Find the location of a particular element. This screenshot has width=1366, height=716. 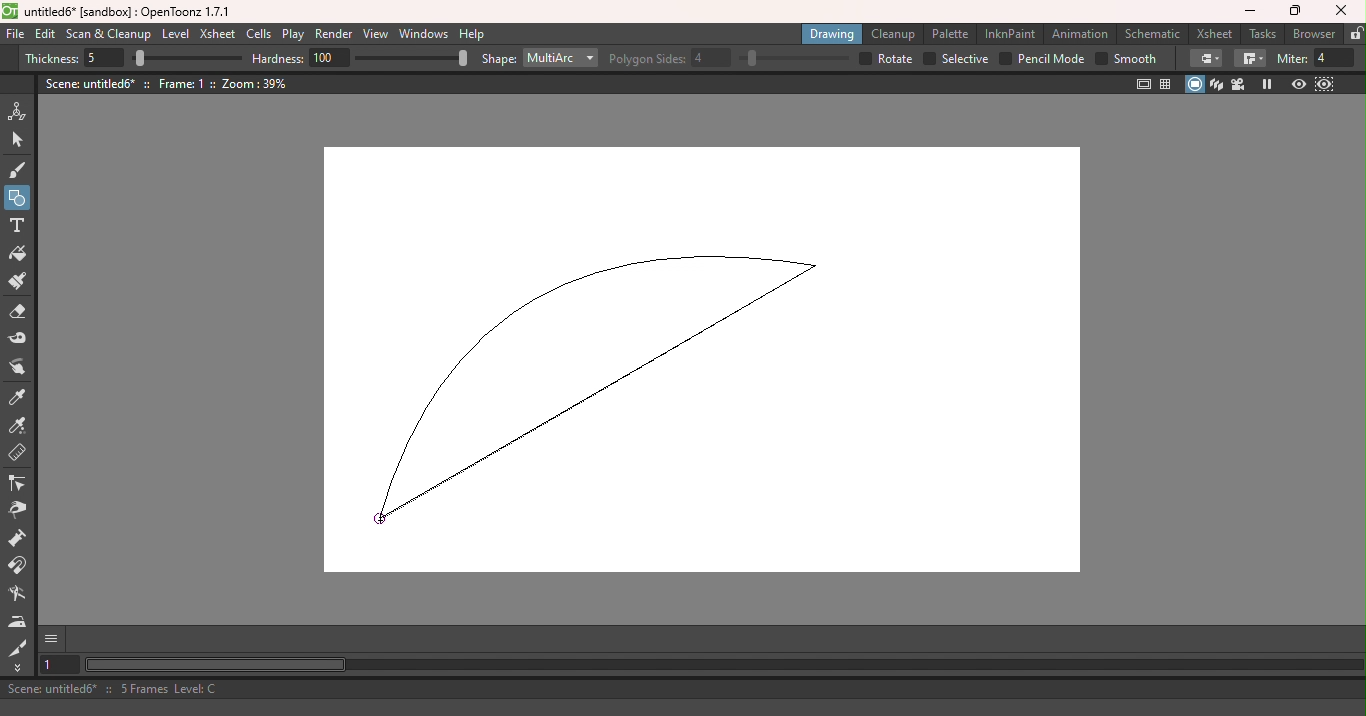

Pump tool is located at coordinates (20, 539).